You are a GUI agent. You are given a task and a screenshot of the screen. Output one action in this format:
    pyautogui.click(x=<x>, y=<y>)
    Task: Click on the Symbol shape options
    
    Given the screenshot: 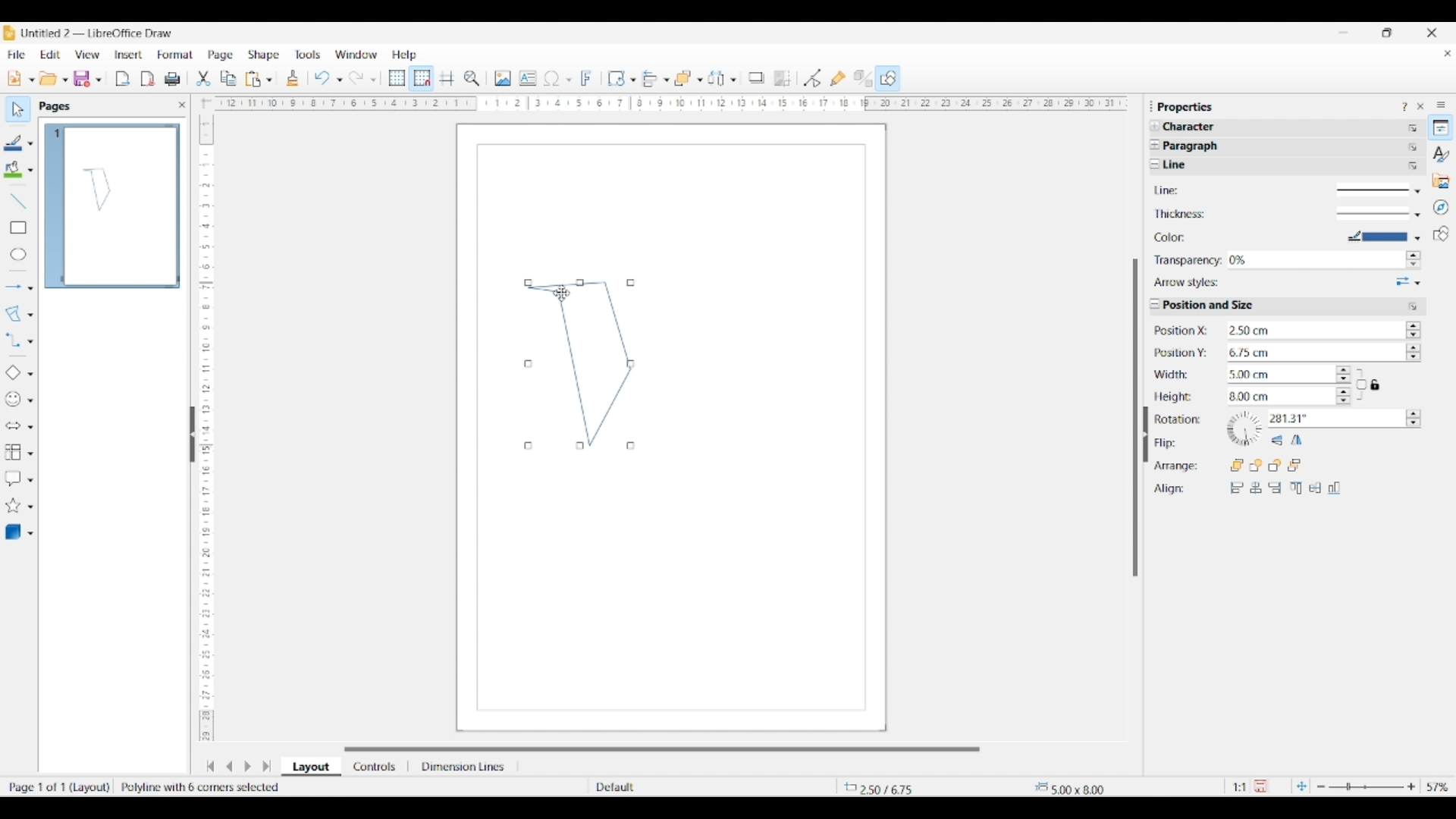 What is the action you would take?
    pyautogui.click(x=30, y=400)
    